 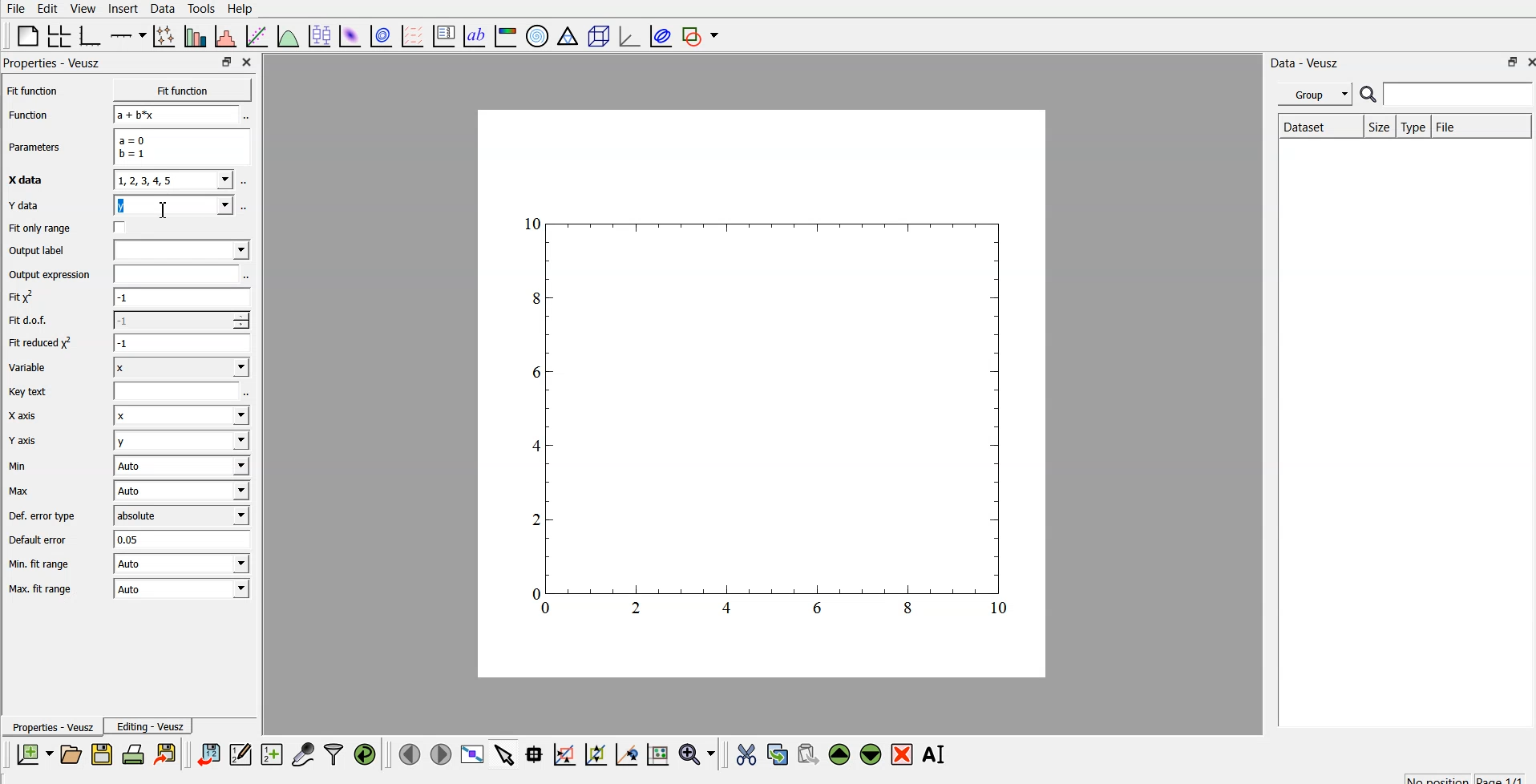 What do you see at coordinates (871, 754) in the screenshot?
I see `move down the selected widget` at bounding box center [871, 754].